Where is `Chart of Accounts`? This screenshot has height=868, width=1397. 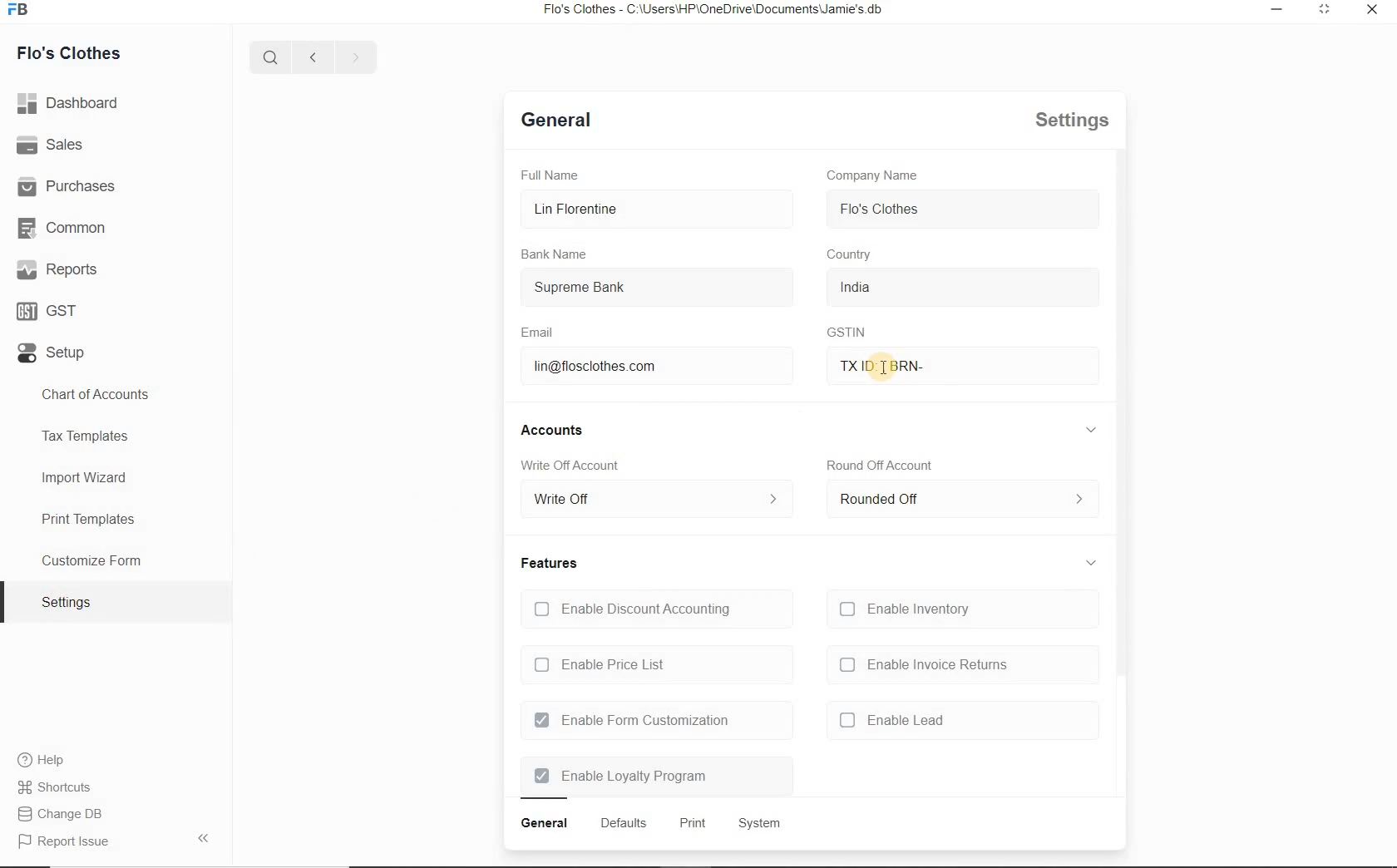 Chart of Accounts is located at coordinates (102, 395).